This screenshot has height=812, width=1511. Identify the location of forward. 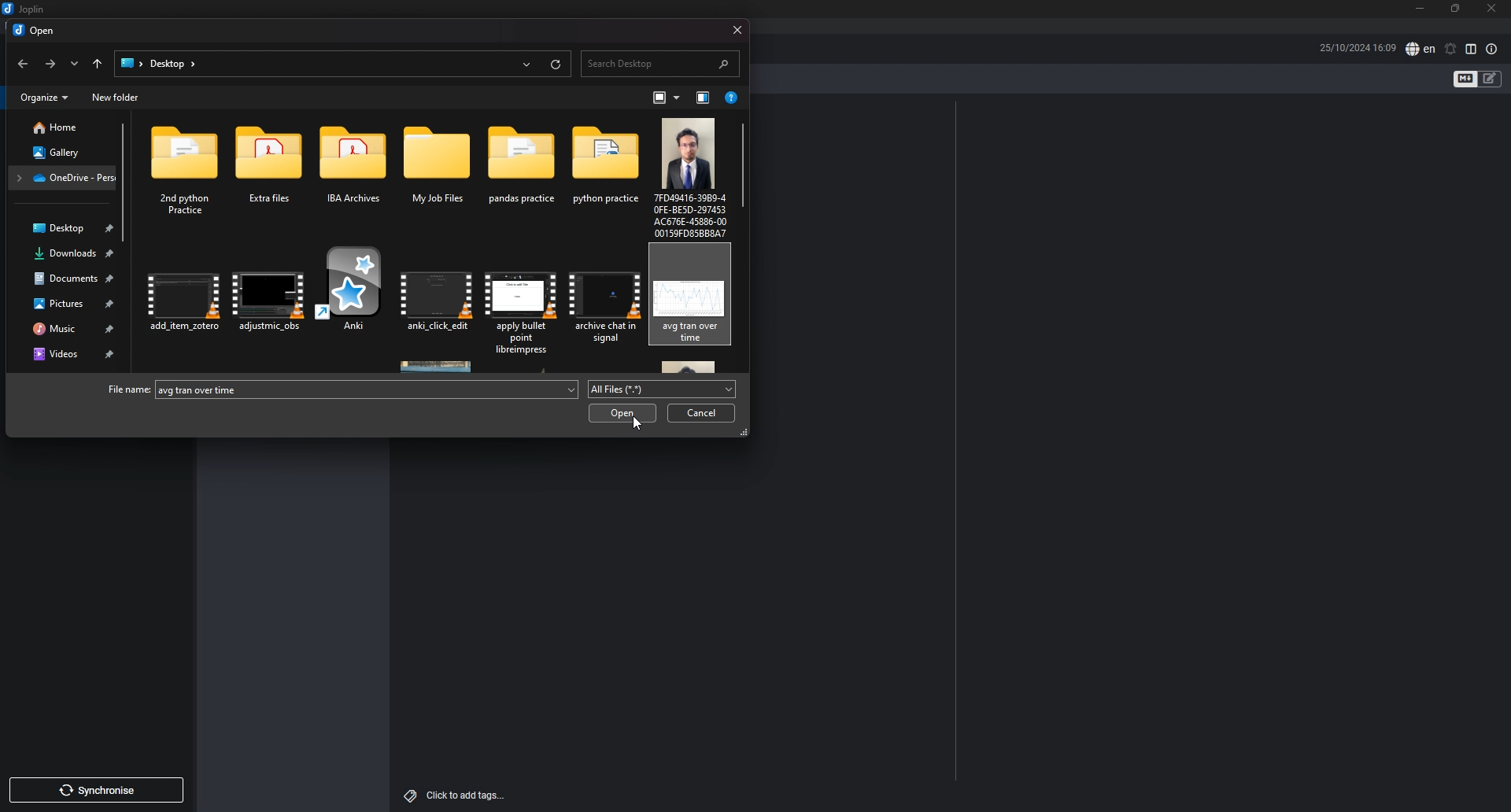
(48, 64).